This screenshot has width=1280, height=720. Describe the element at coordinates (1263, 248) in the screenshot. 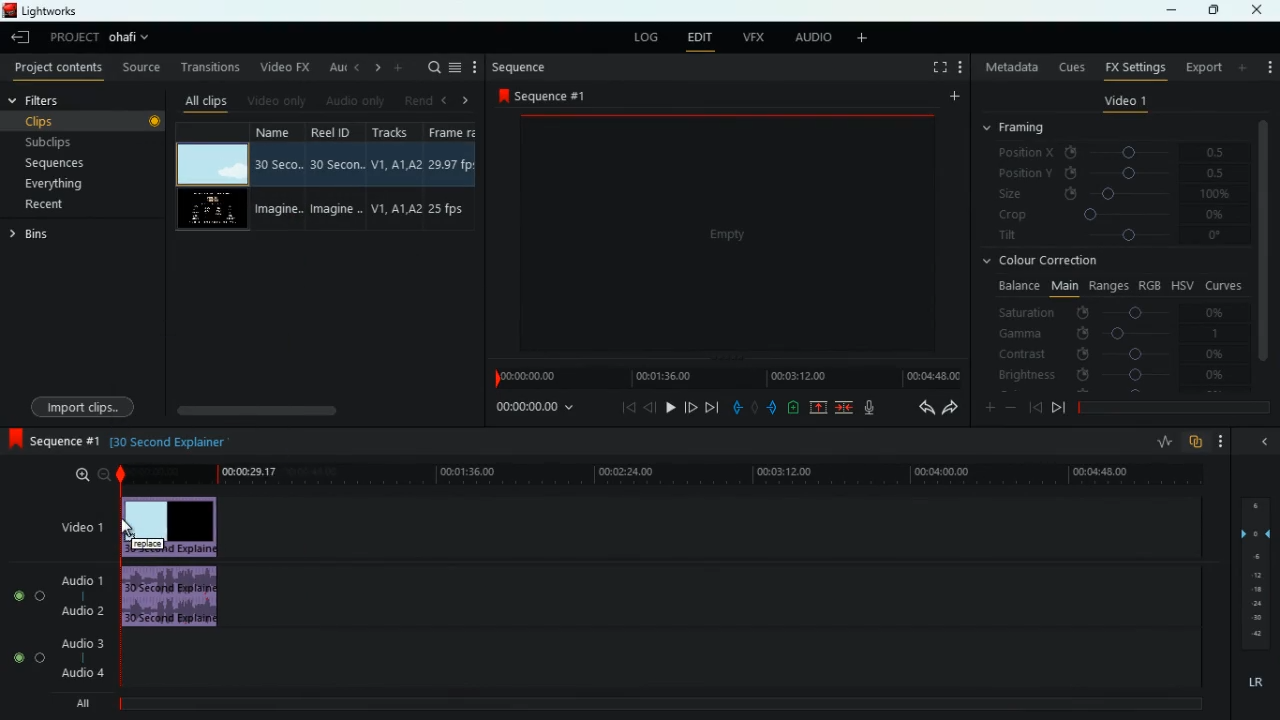

I see `vertical scroll bar` at that location.